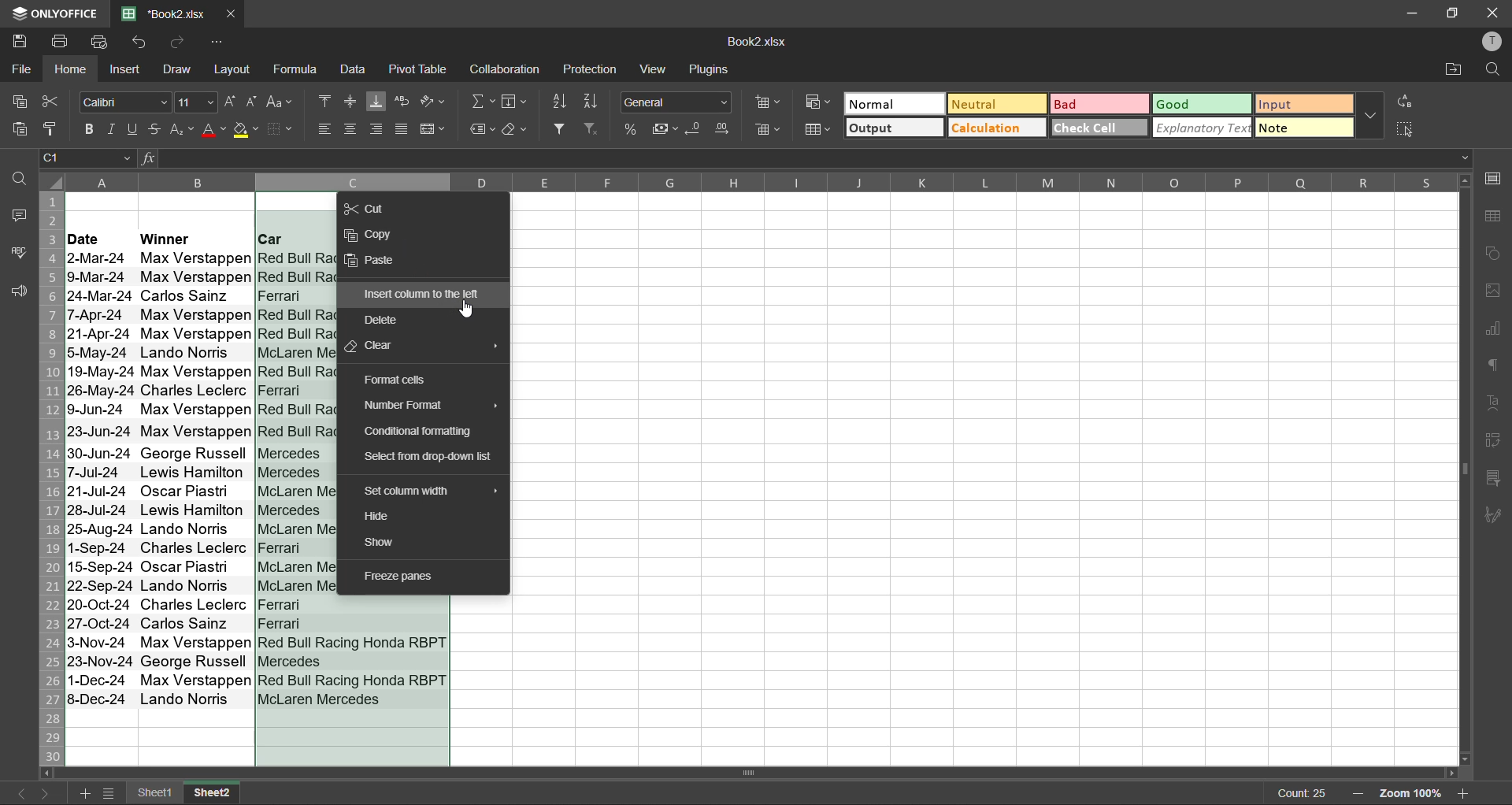 The height and width of the screenshot is (805, 1512). What do you see at coordinates (674, 102) in the screenshot?
I see `number format ` at bounding box center [674, 102].